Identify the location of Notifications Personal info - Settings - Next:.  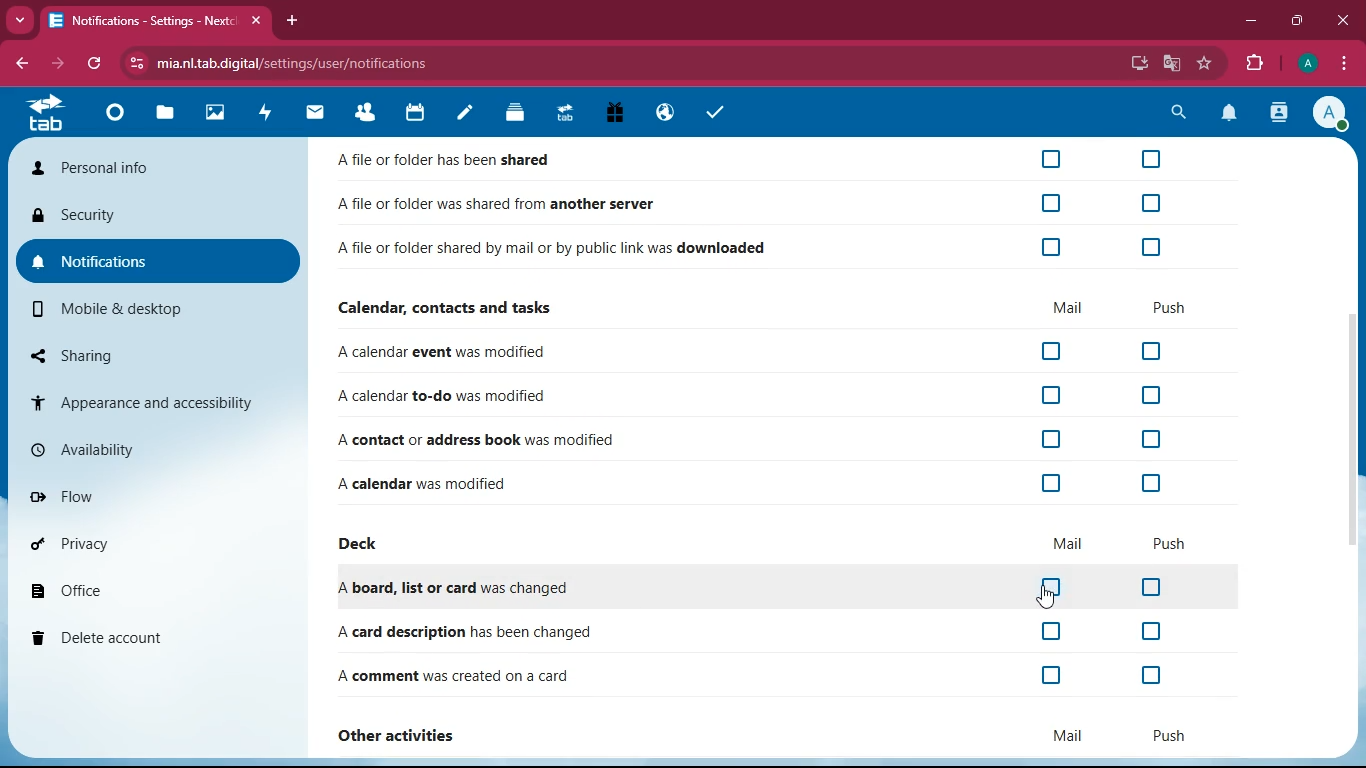
(140, 21).